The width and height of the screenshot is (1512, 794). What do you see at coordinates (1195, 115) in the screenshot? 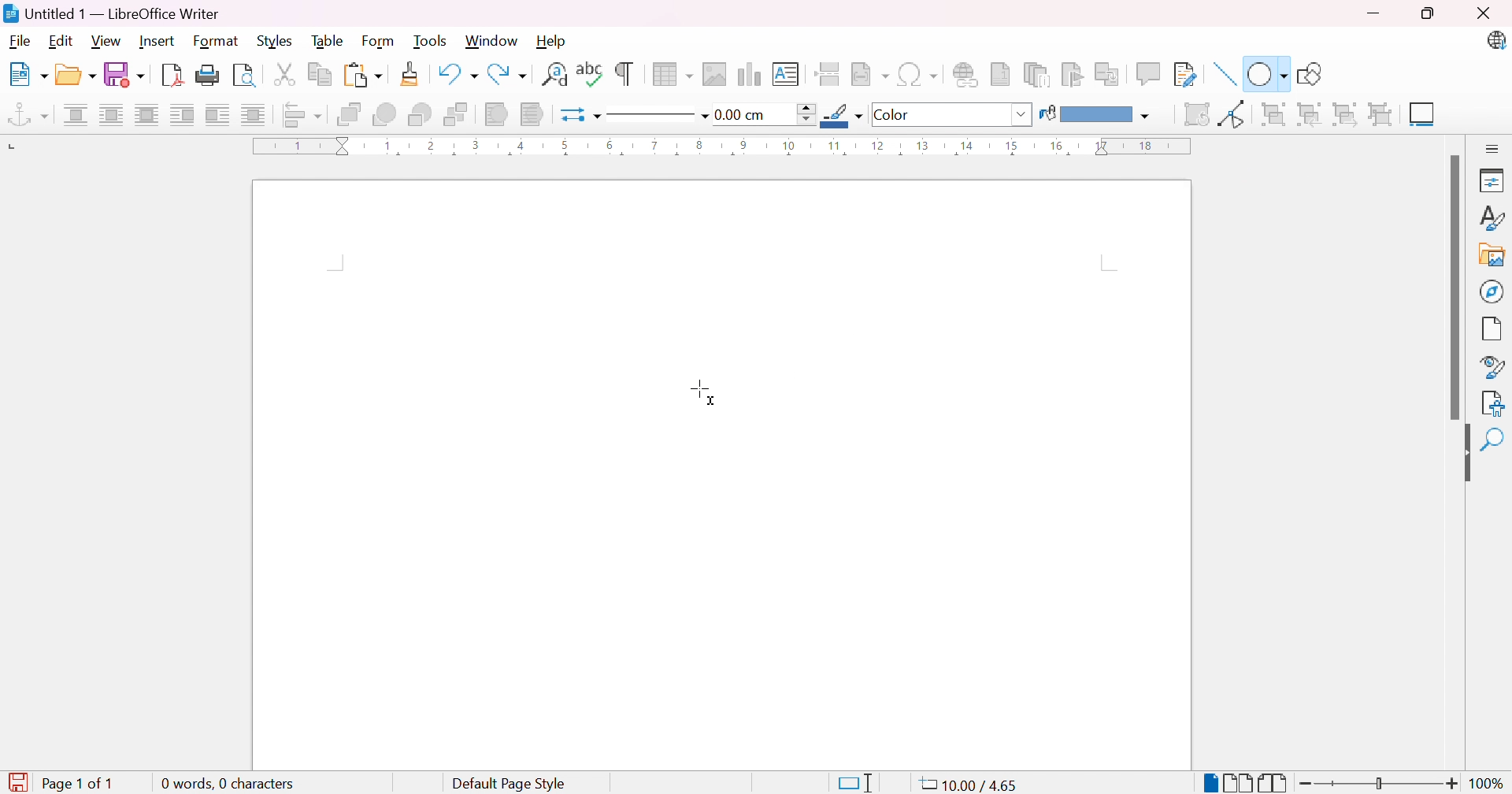
I see `Rotate` at bounding box center [1195, 115].